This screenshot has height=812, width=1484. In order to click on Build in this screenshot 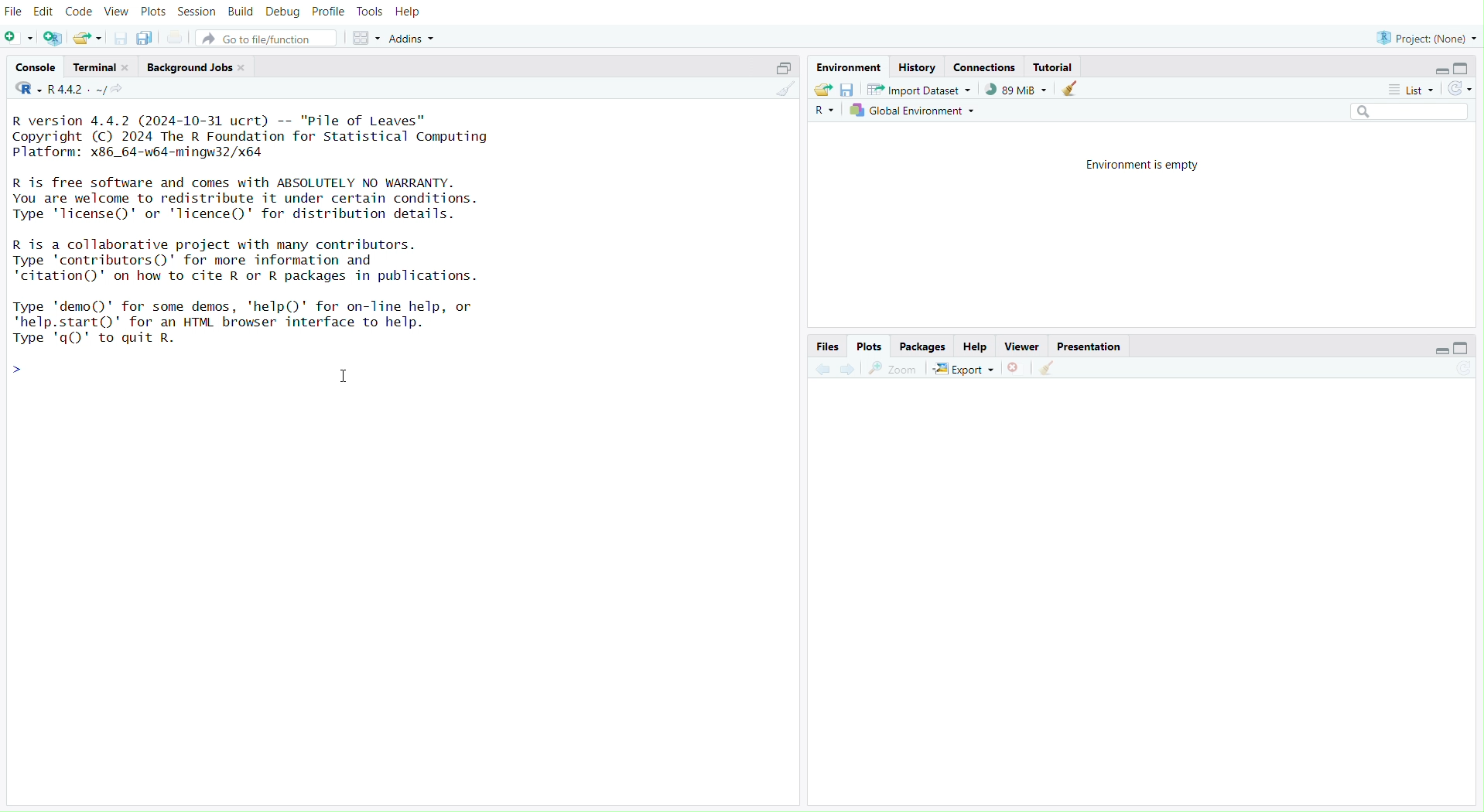, I will do `click(239, 13)`.